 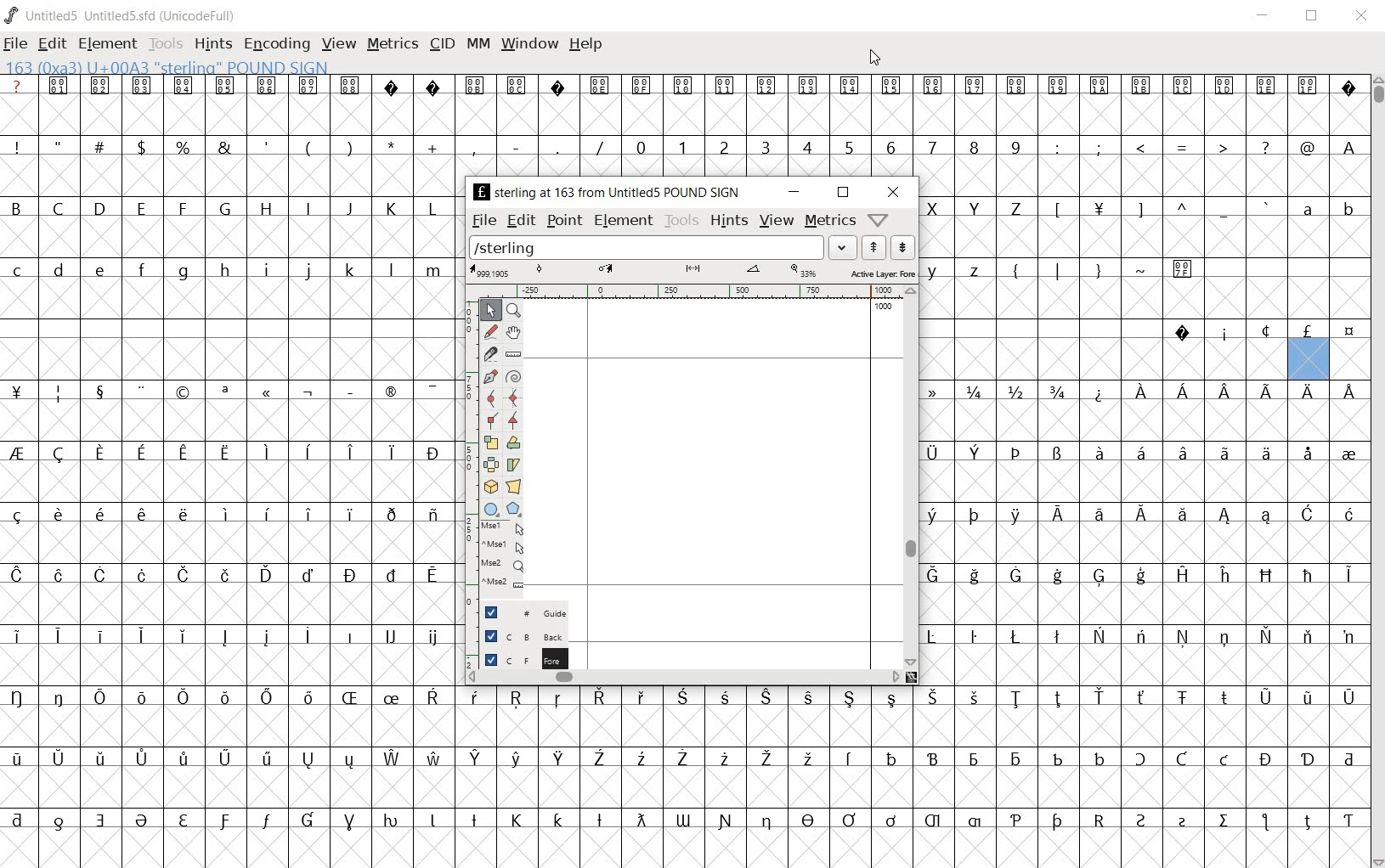 What do you see at coordinates (352, 146) in the screenshot?
I see `)` at bounding box center [352, 146].